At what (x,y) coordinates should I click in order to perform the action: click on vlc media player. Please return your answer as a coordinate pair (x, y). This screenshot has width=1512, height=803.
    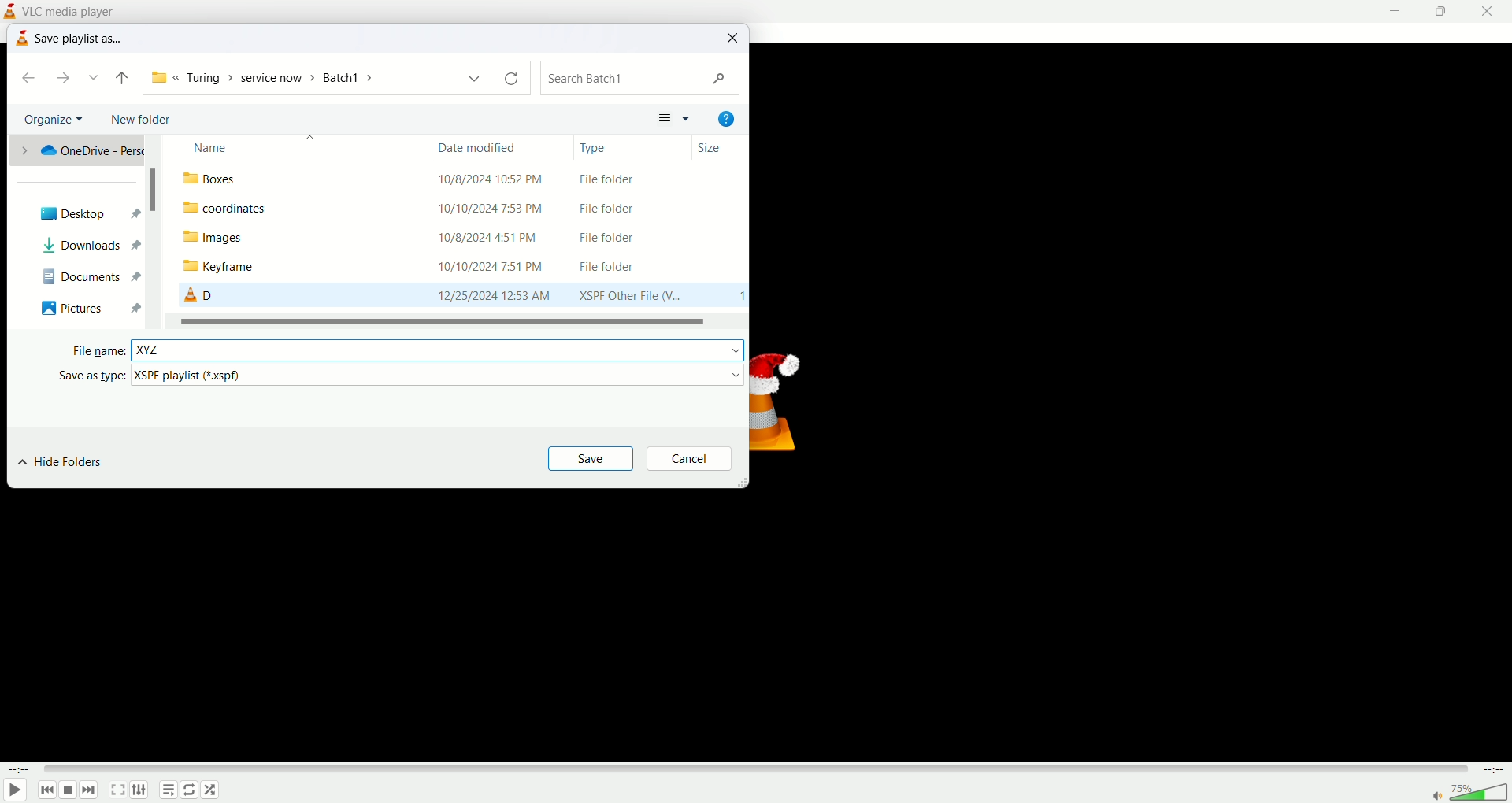
    Looking at the image, I should click on (72, 10).